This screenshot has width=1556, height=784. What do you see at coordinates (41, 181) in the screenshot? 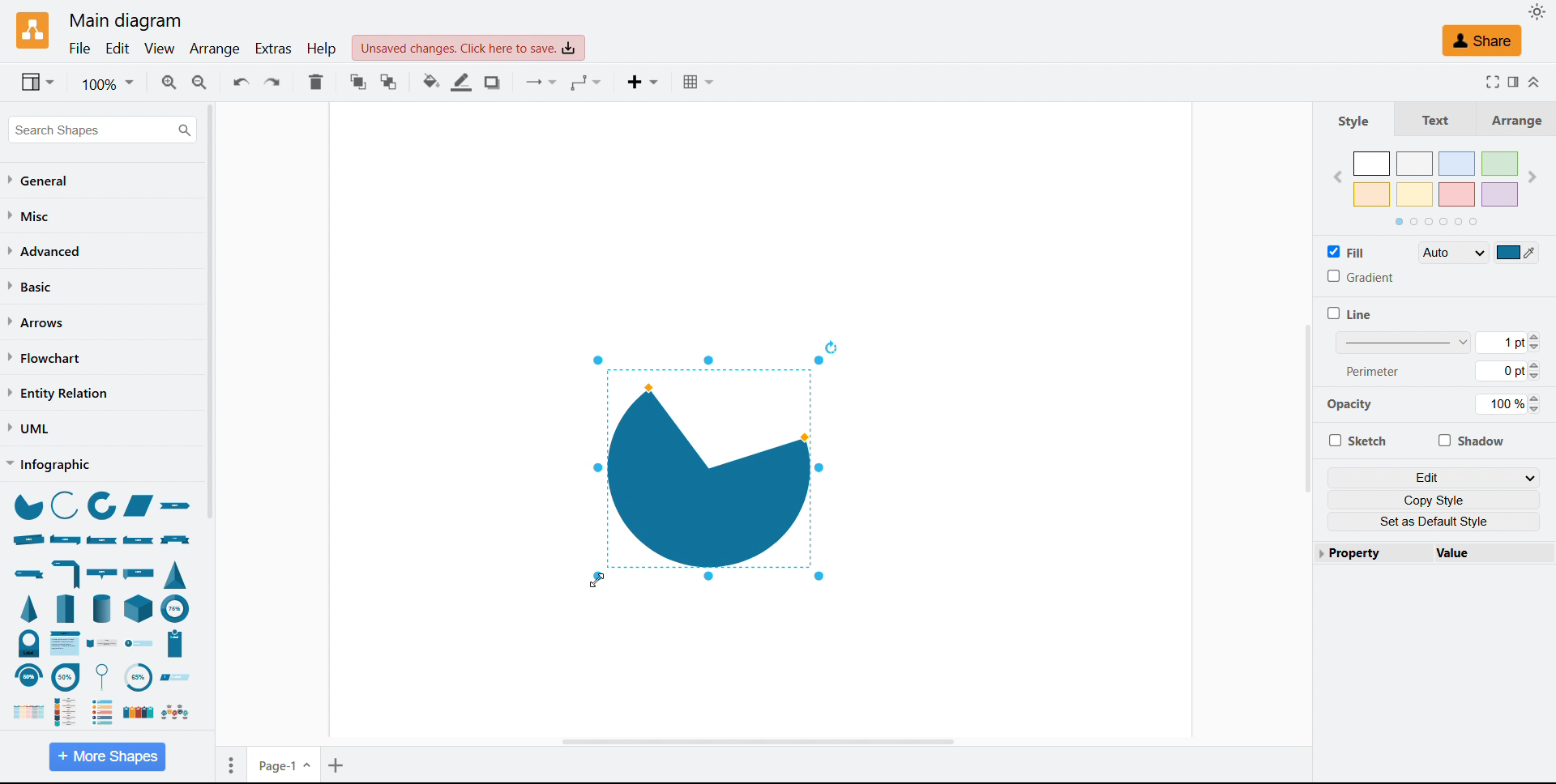
I see `general ` at bounding box center [41, 181].